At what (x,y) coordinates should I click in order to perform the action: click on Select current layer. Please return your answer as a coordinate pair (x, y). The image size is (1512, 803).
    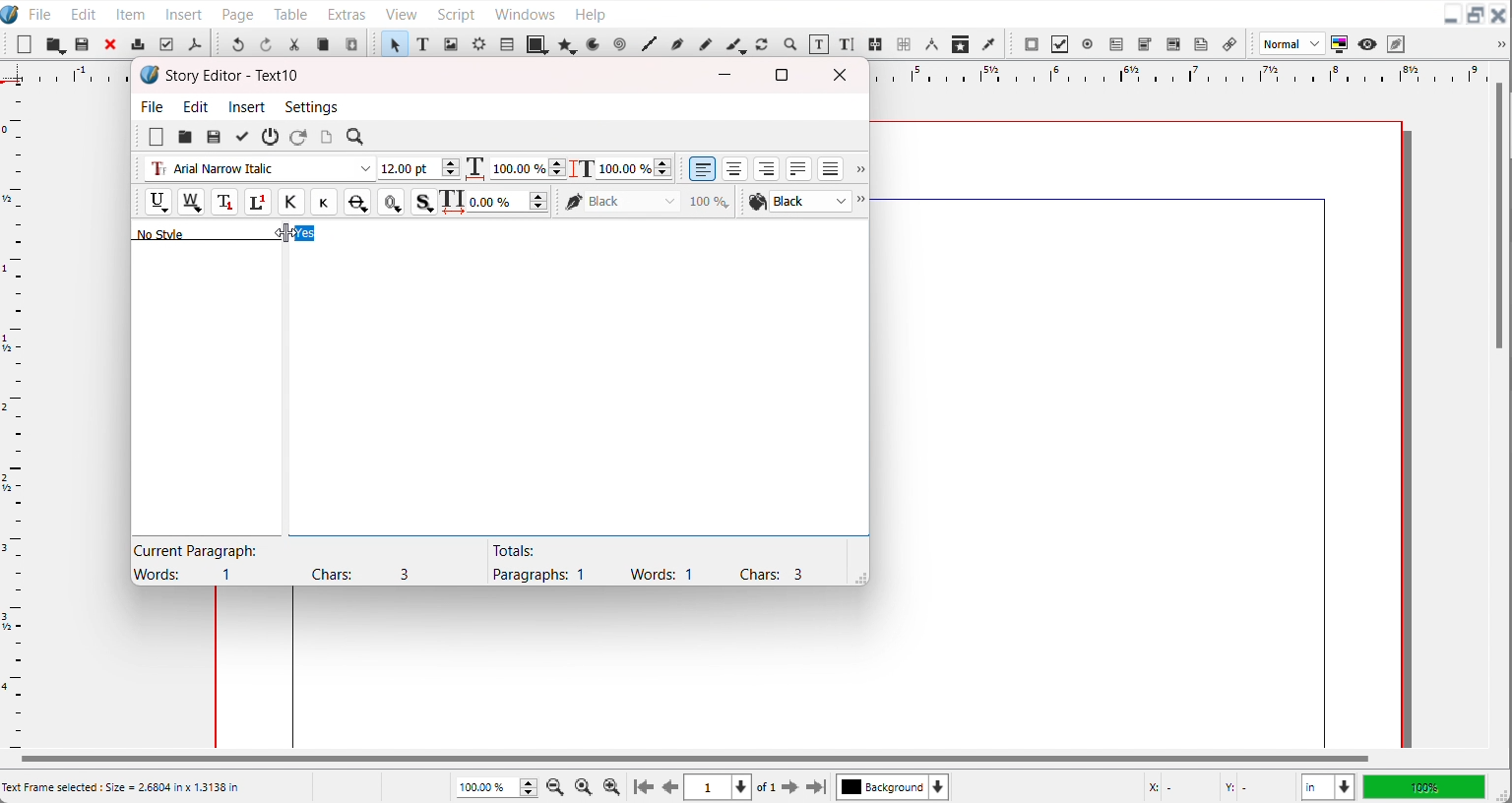
    Looking at the image, I should click on (893, 786).